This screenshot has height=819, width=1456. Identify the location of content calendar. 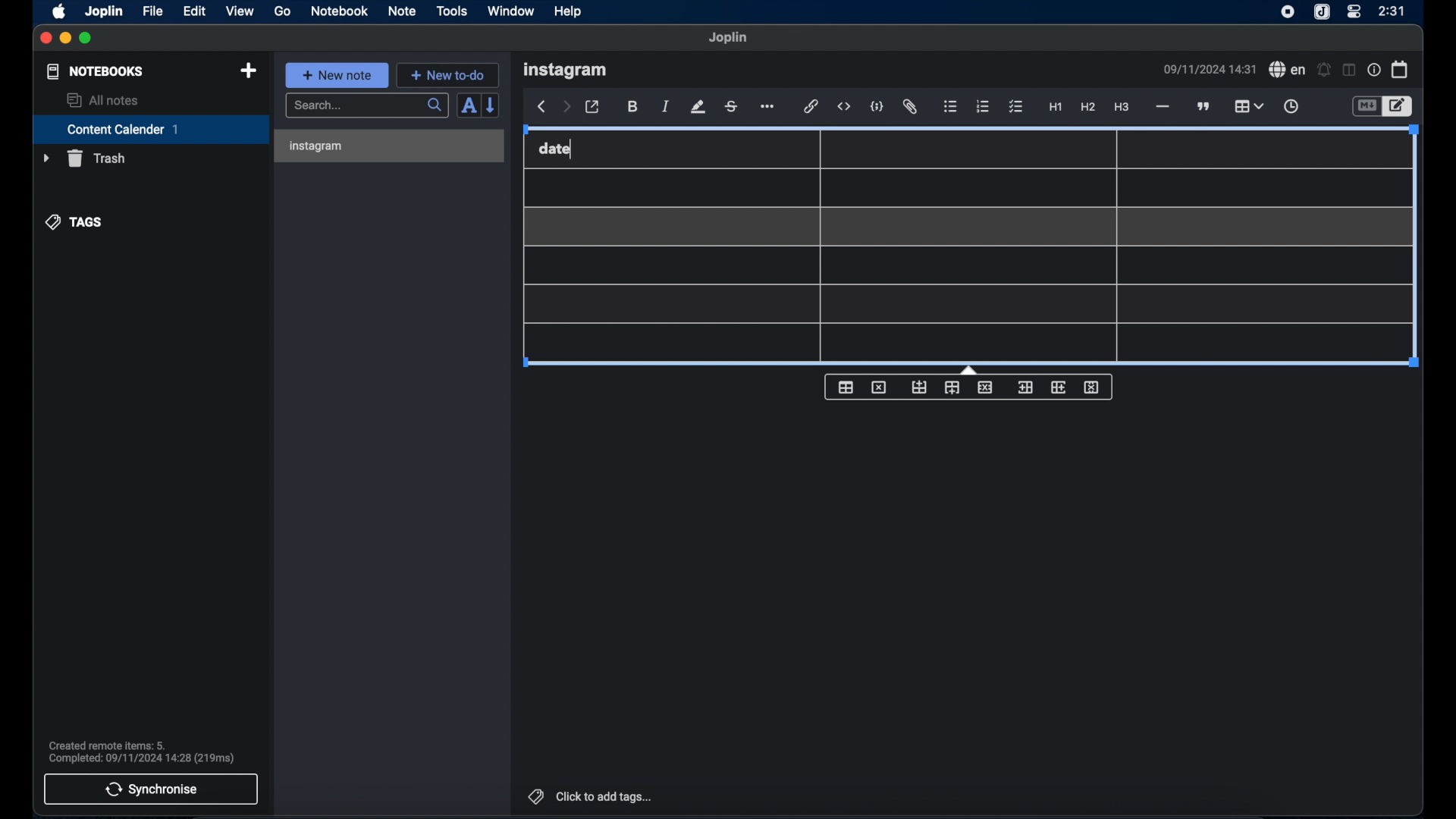
(151, 129).